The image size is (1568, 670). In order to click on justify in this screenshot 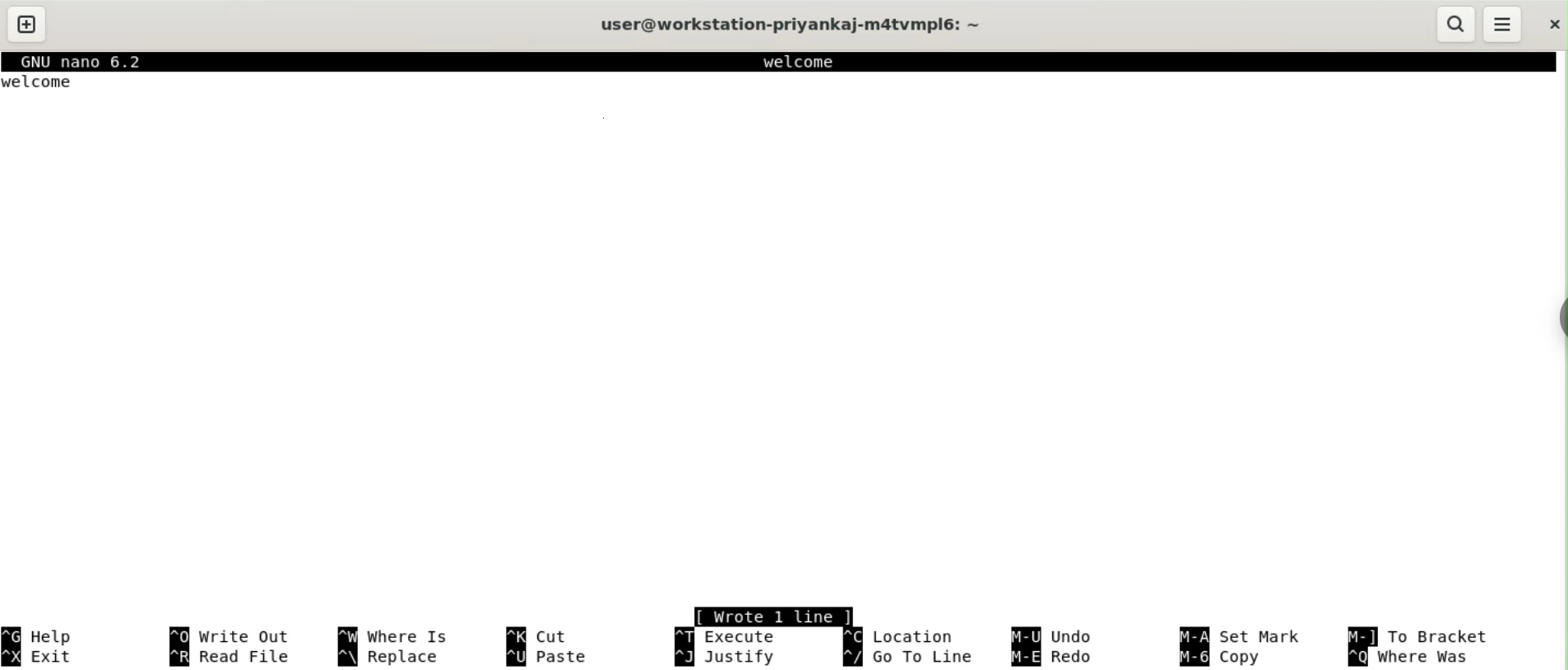, I will do `click(728, 658)`.